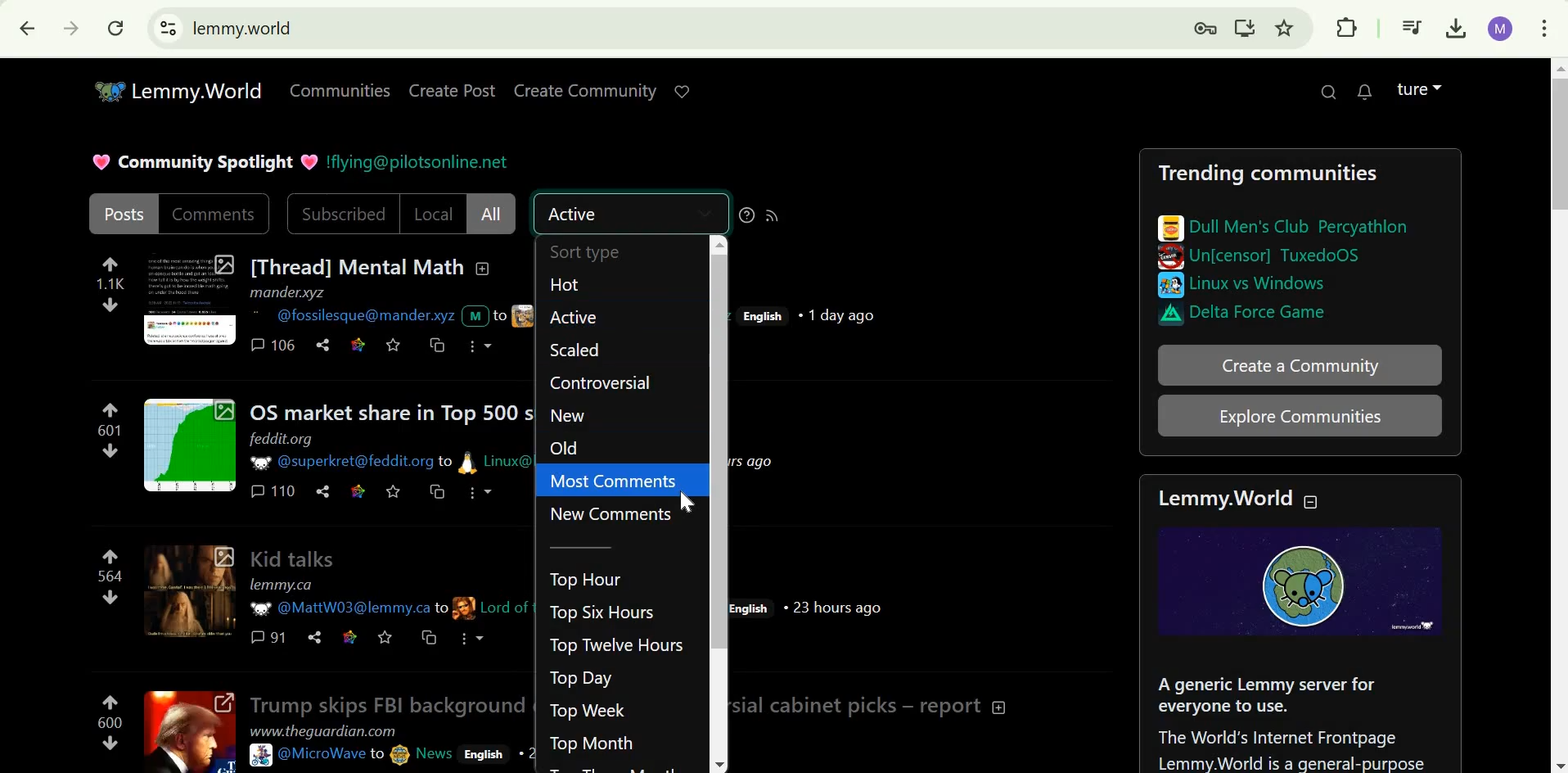  What do you see at coordinates (109, 742) in the screenshot?
I see `downvote` at bounding box center [109, 742].